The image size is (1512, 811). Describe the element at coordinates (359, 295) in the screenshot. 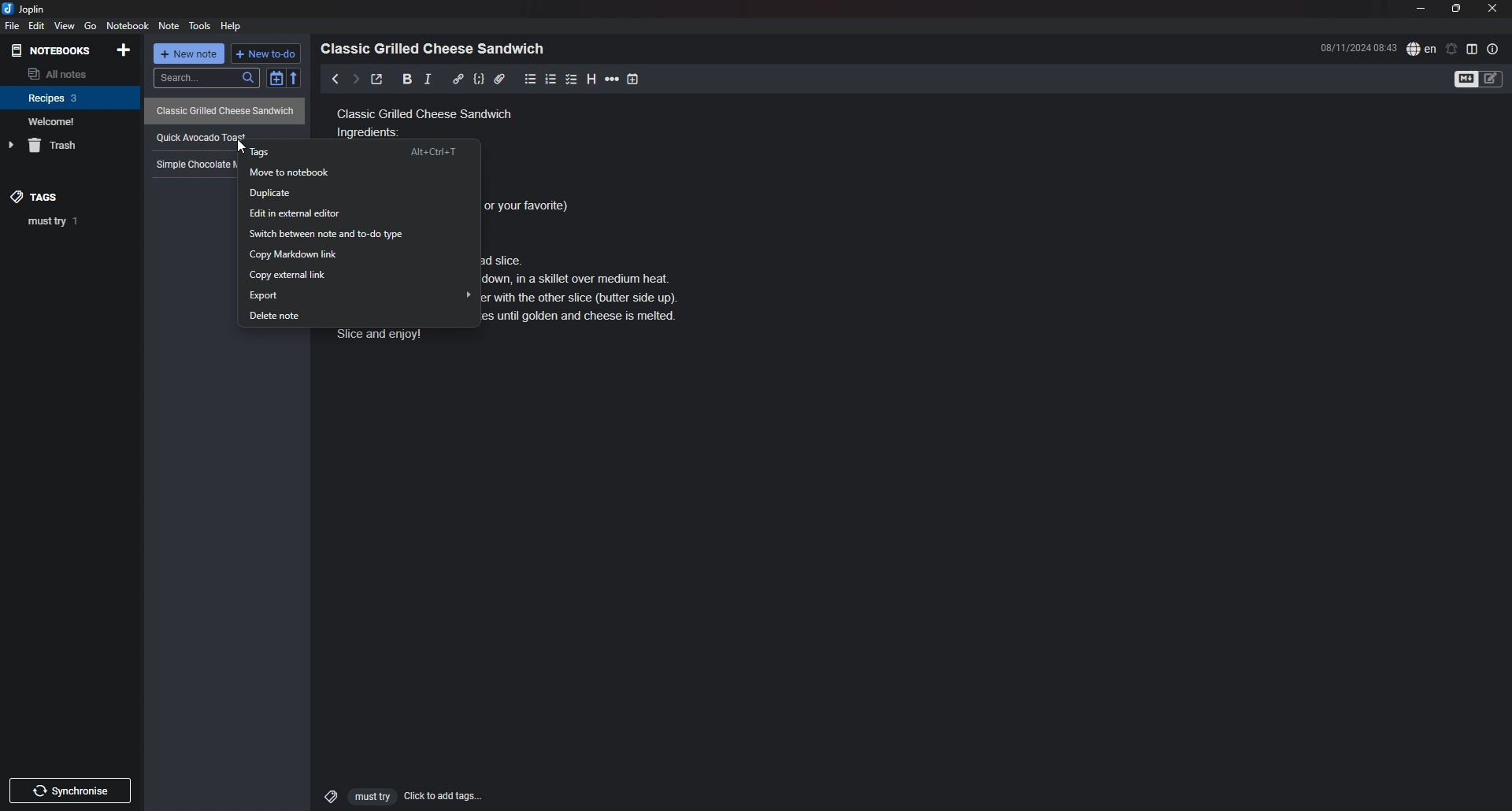

I see `export` at that location.